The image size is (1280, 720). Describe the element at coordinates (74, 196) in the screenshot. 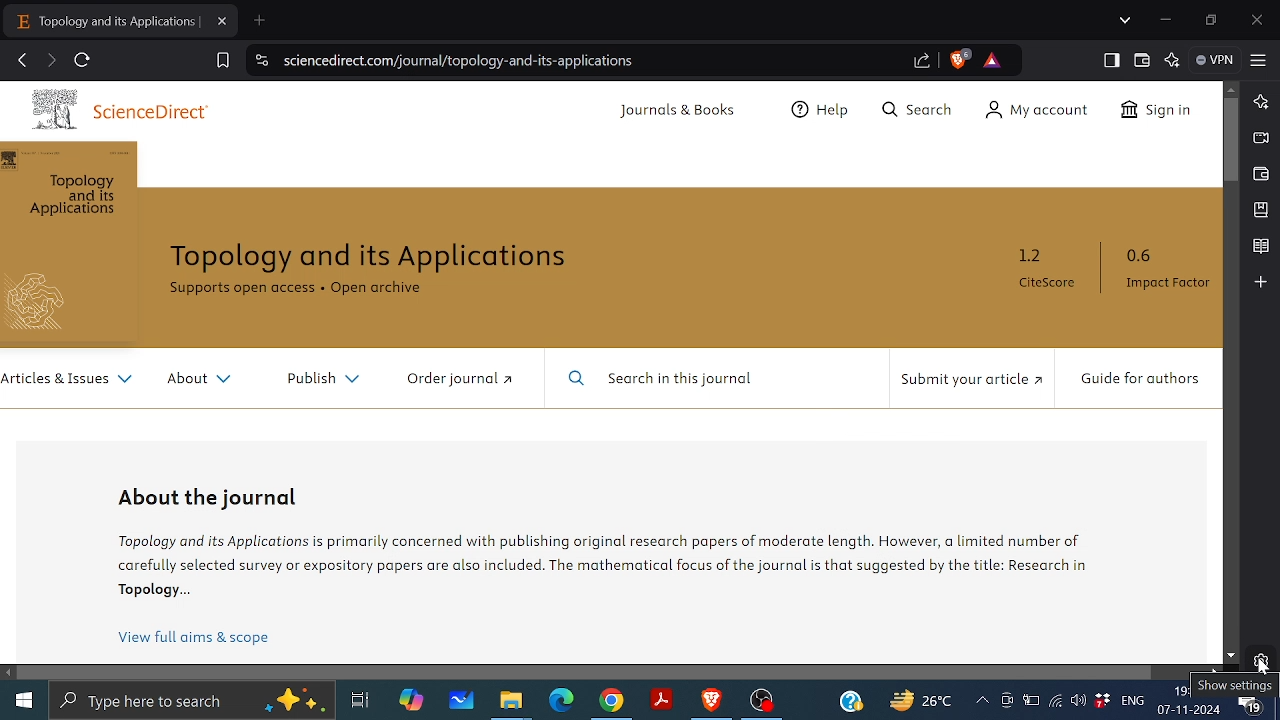

I see `Topology and its Application` at that location.